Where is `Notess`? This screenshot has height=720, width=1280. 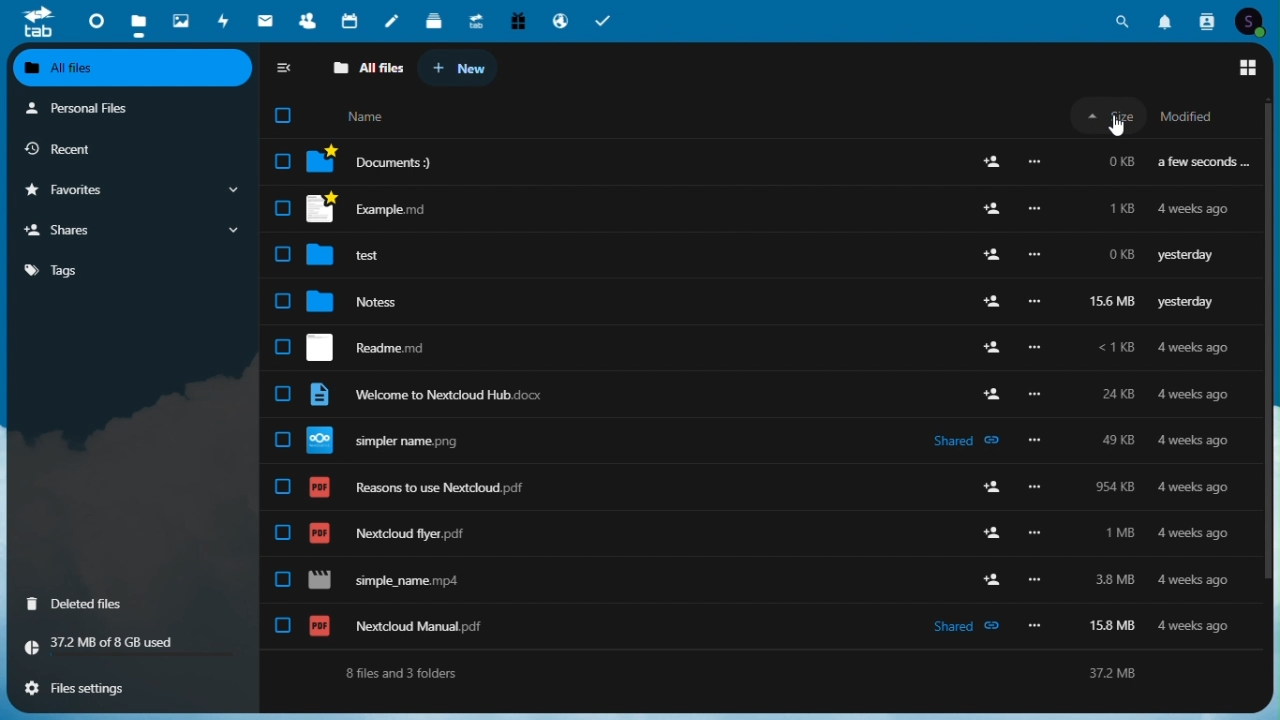
Notess is located at coordinates (744, 302).